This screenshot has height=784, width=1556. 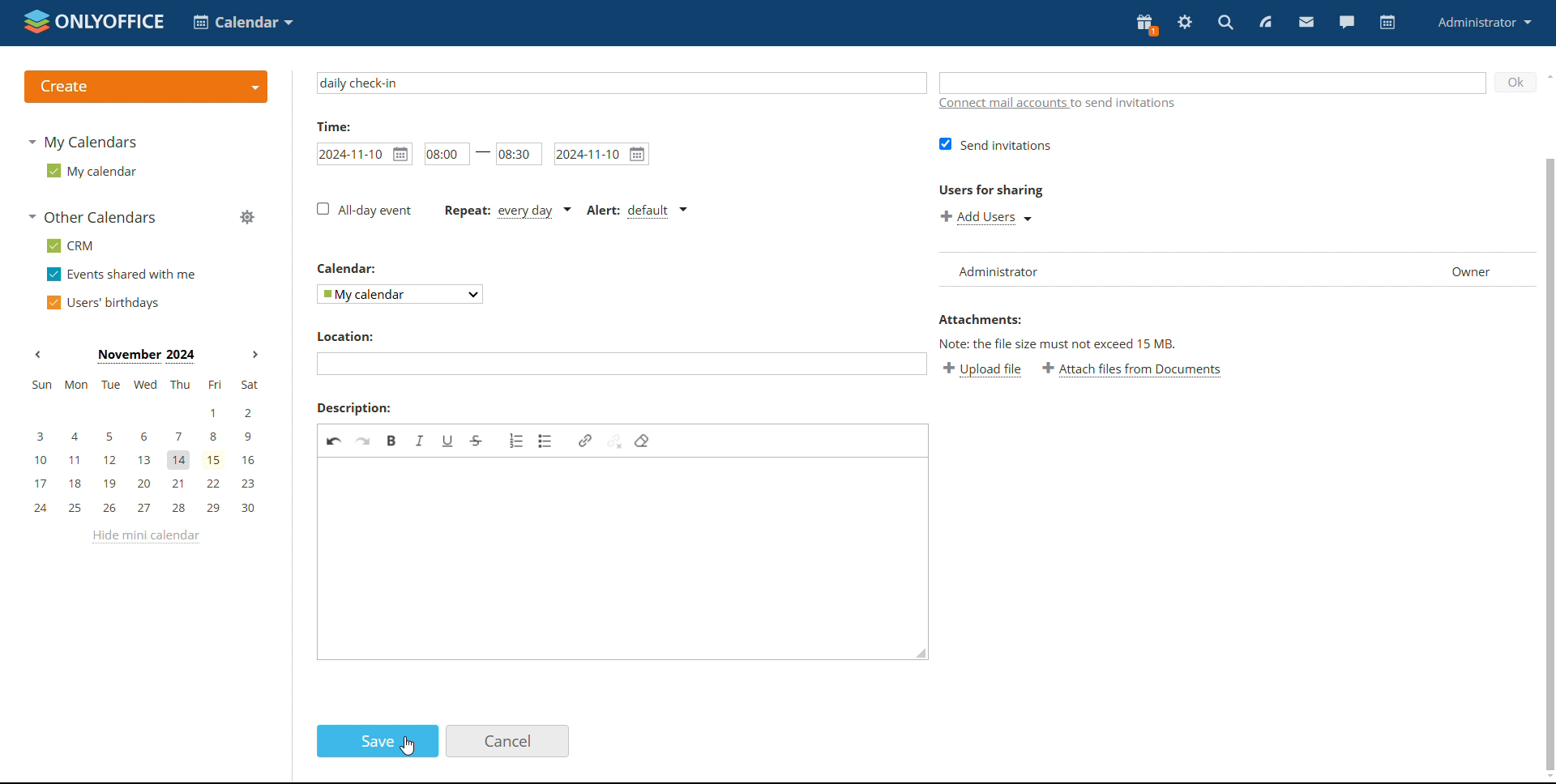 I want to click on present, so click(x=1145, y=24).